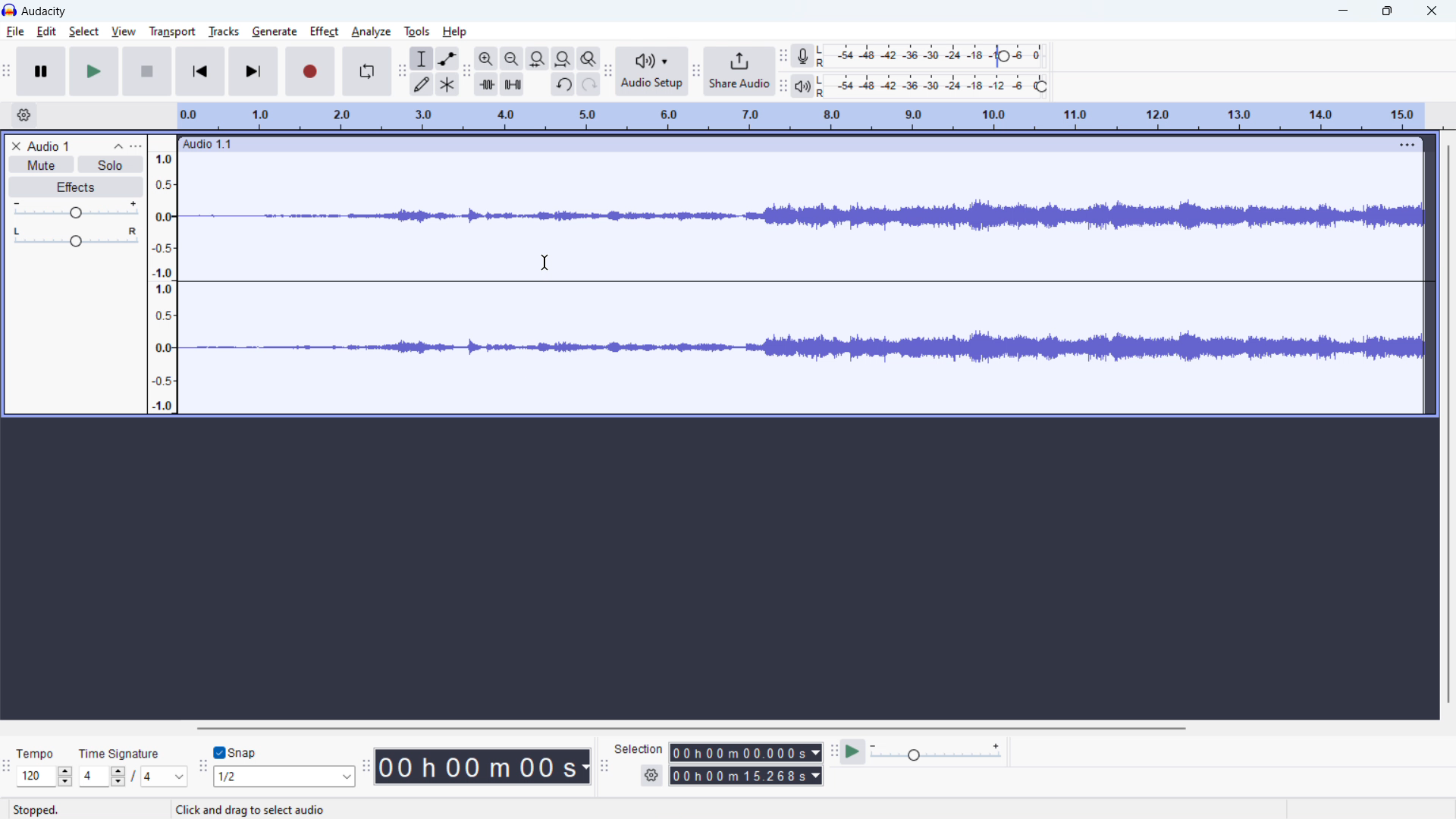 The height and width of the screenshot is (819, 1456). What do you see at coordinates (372, 32) in the screenshot?
I see `analyze` at bounding box center [372, 32].